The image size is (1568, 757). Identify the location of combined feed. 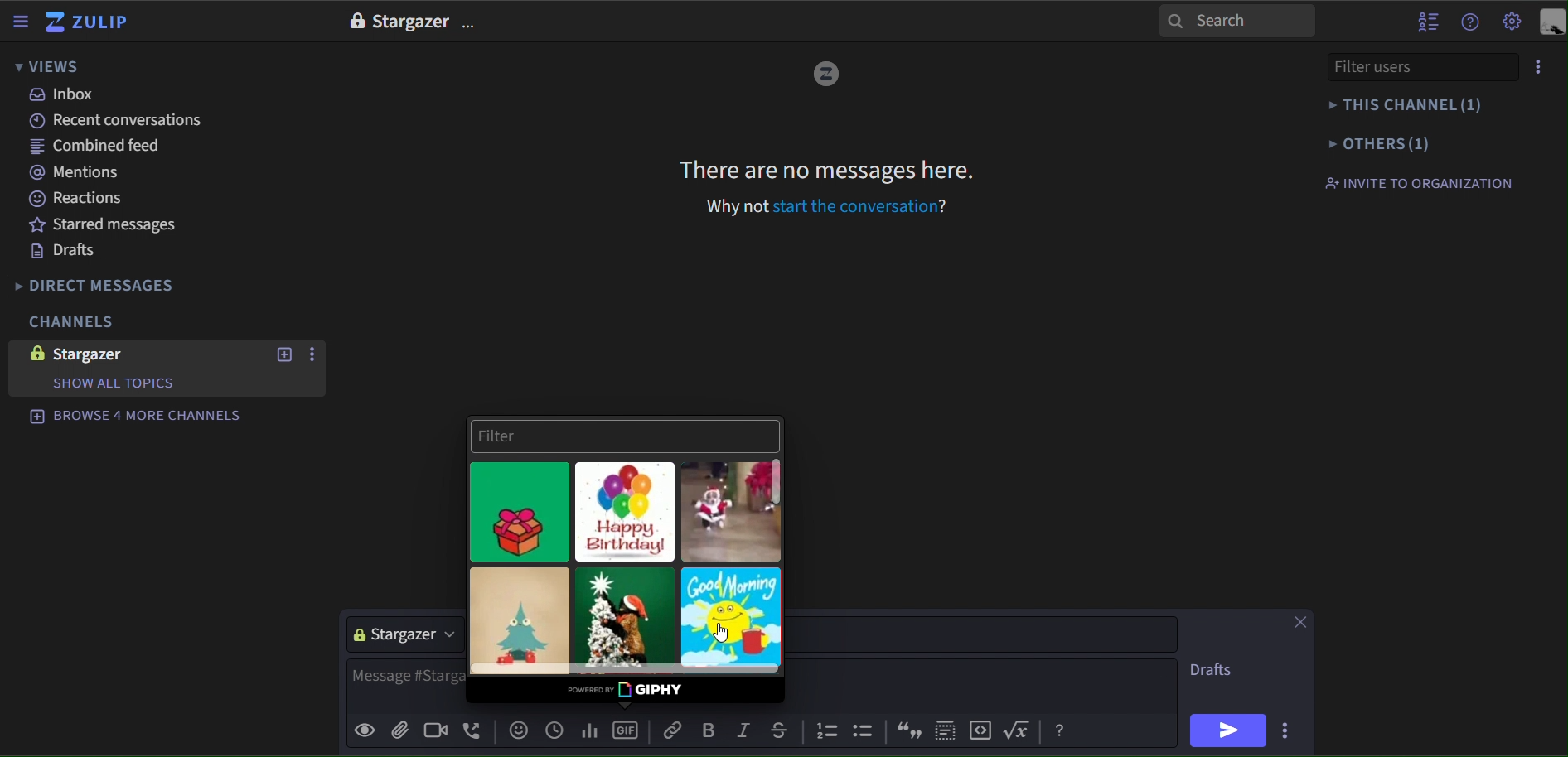
(102, 149).